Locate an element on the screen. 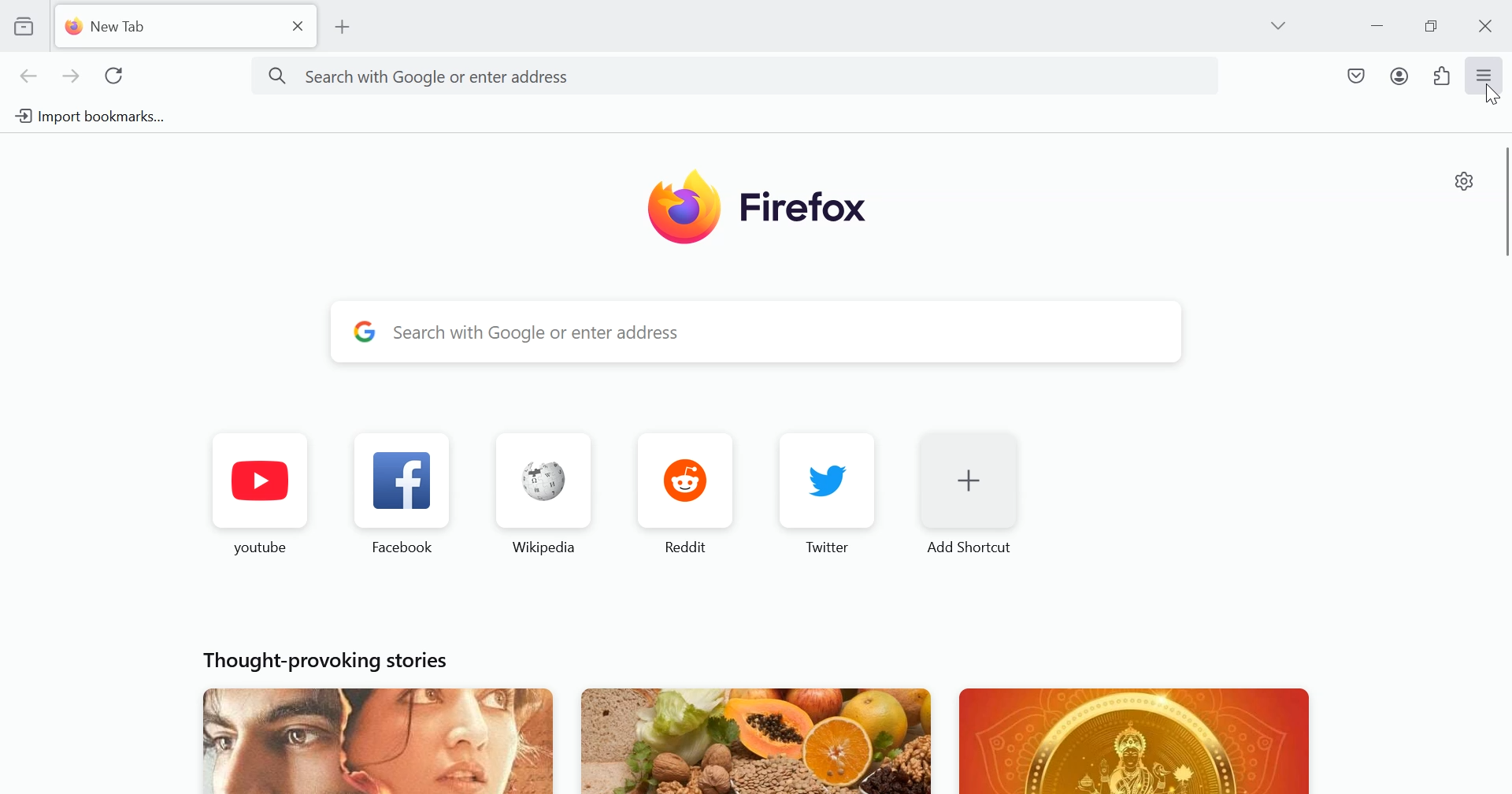  Search with Google or enter address is located at coordinates (773, 330).